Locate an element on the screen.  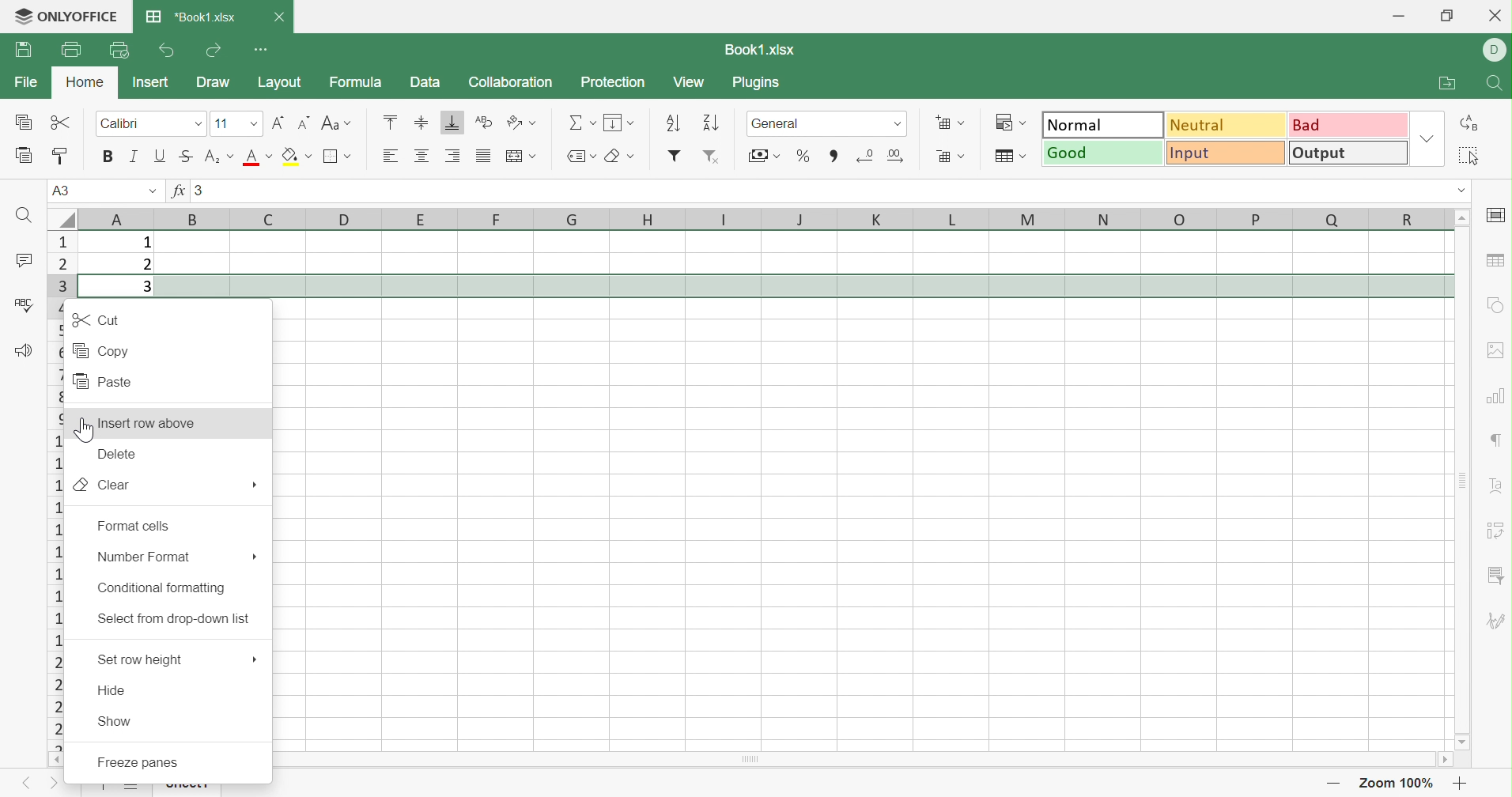
Open file location is located at coordinates (1446, 83).